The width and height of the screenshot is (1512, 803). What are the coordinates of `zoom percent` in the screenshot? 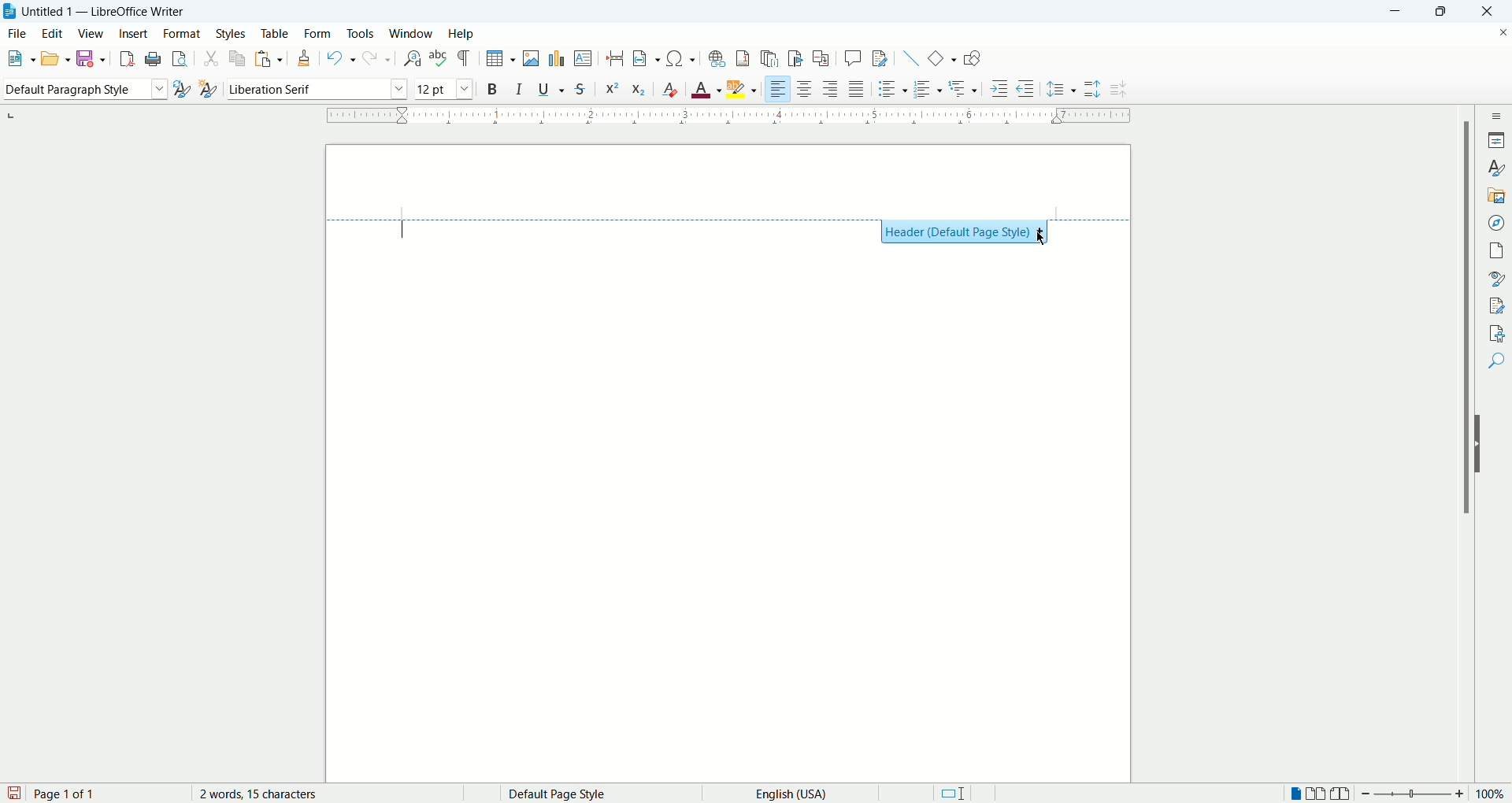 It's located at (1493, 794).